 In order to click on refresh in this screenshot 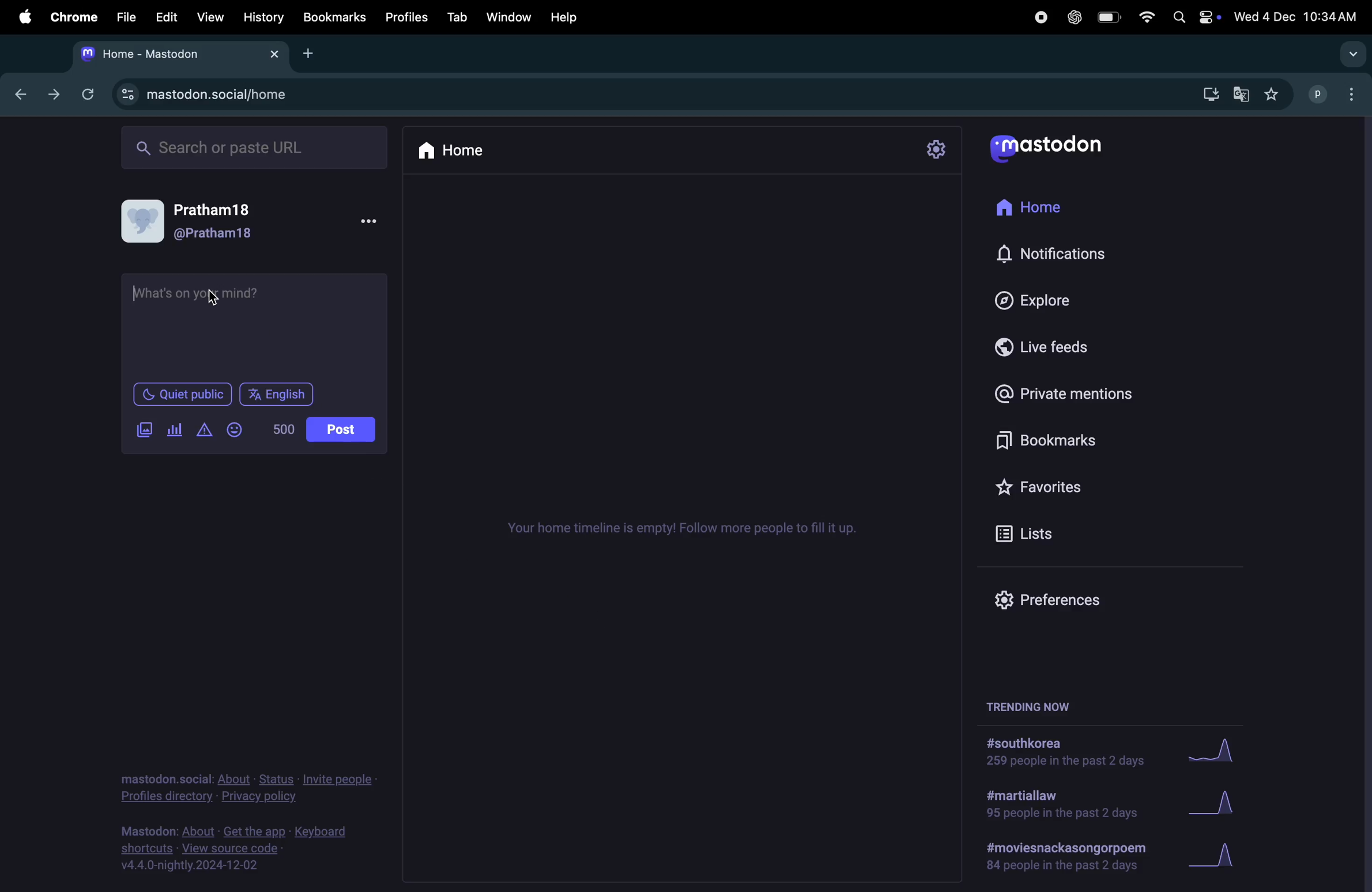, I will do `click(88, 93)`.